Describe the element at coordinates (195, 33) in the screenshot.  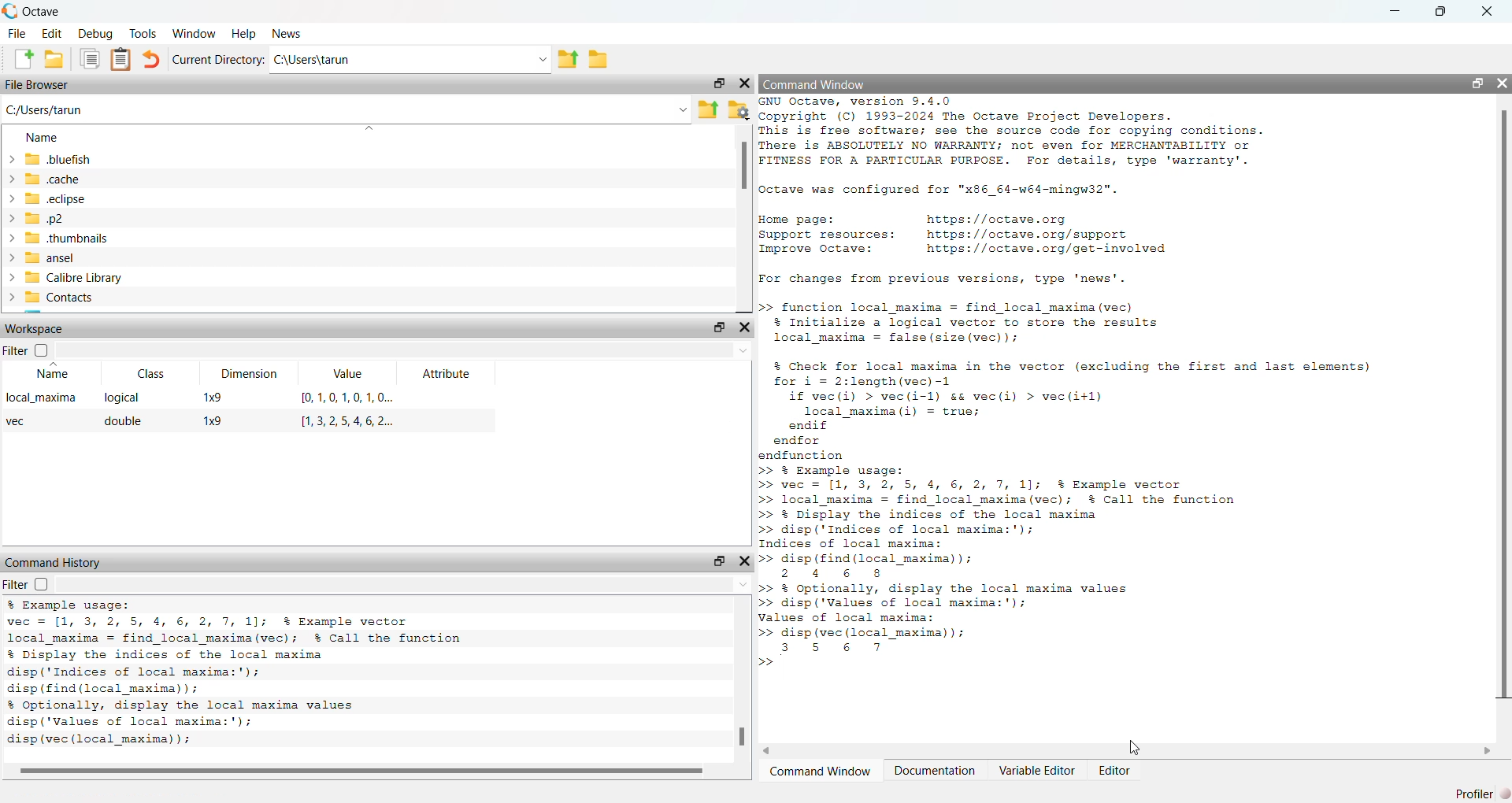
I see `Window` at that location.